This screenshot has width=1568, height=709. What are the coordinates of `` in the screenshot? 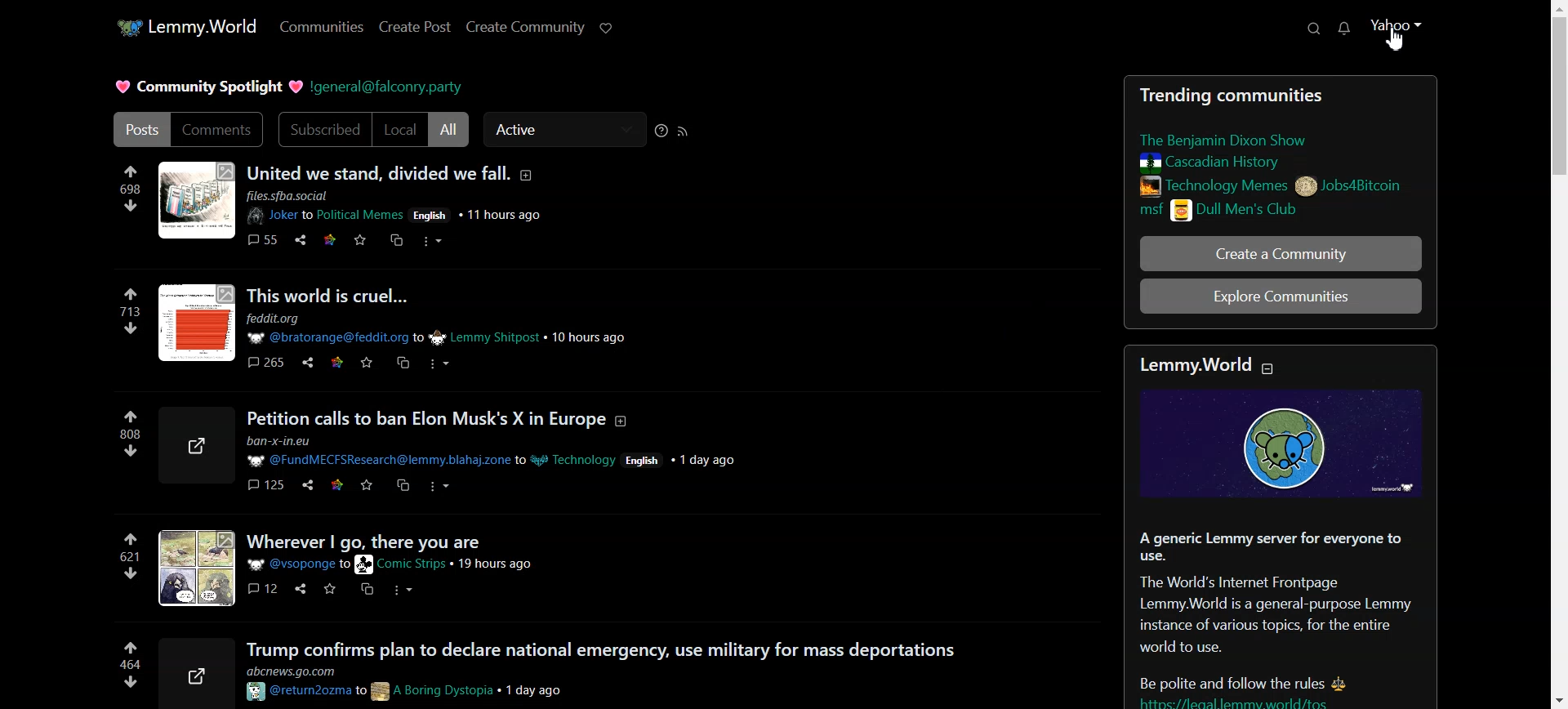 It's located at (325, 245).